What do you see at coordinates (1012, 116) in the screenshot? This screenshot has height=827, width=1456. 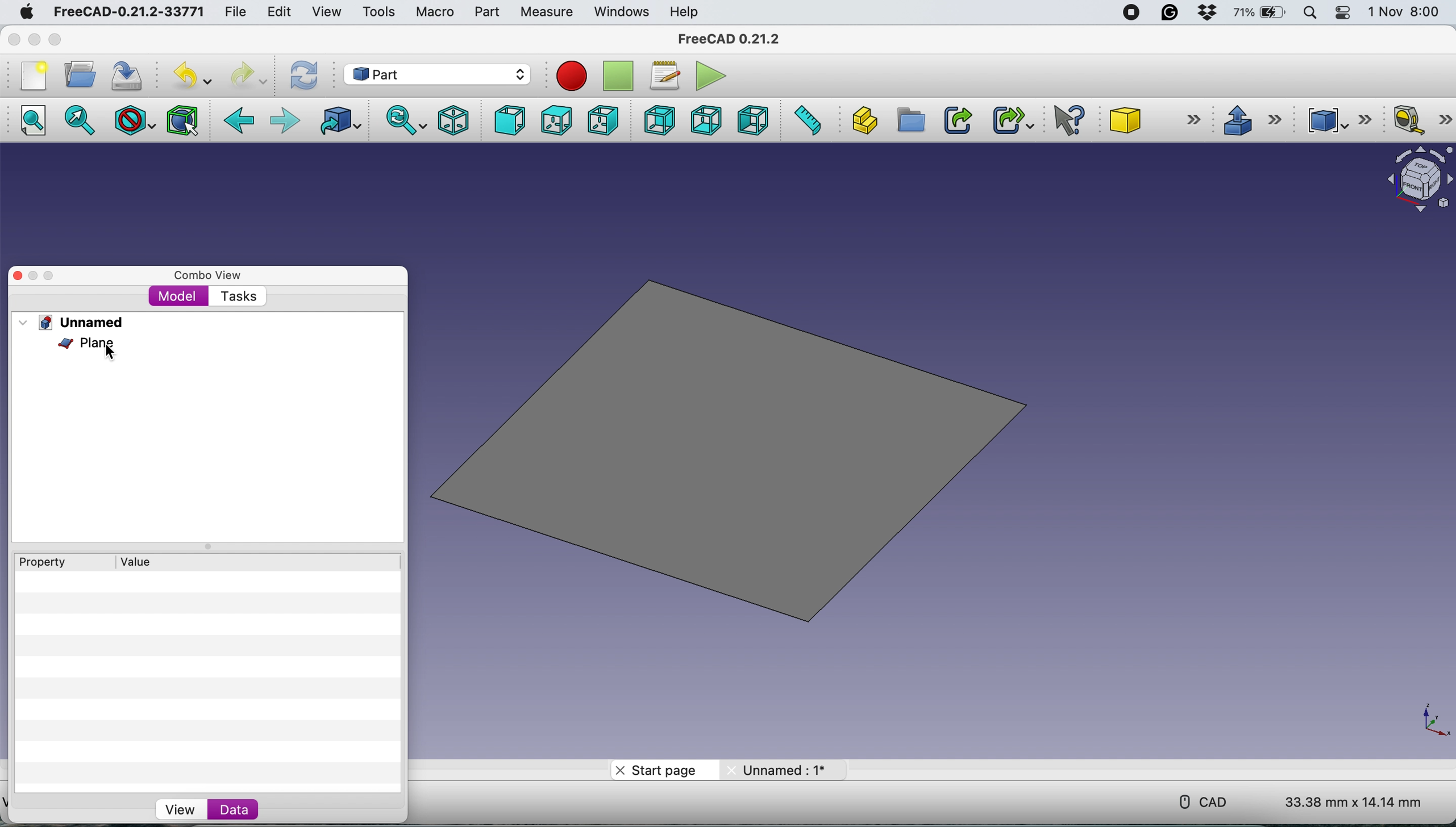 I see `make sub link` at bounding box center [1012, 116].